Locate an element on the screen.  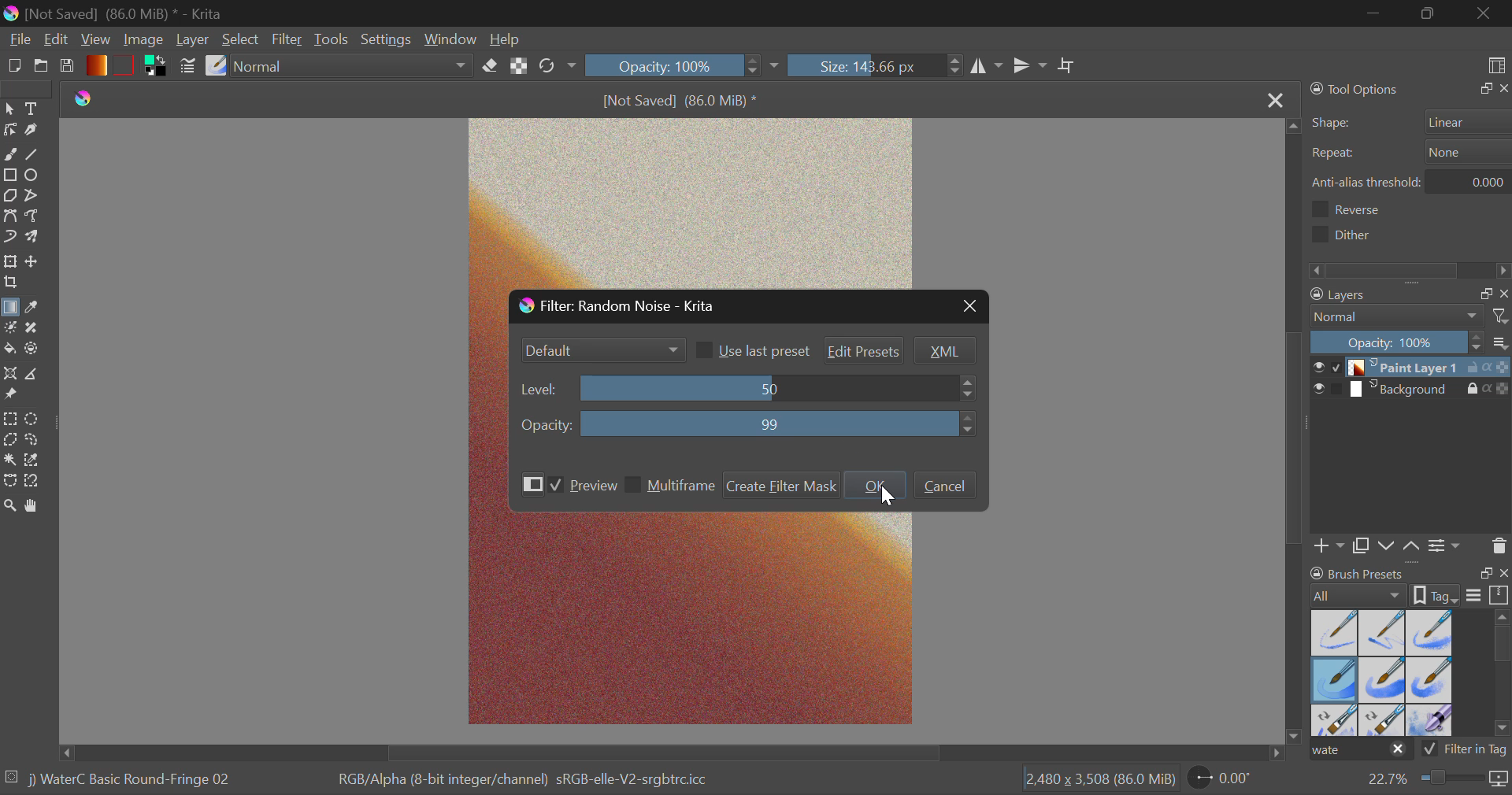
opacity scale is located at coordinates (1397, 342).